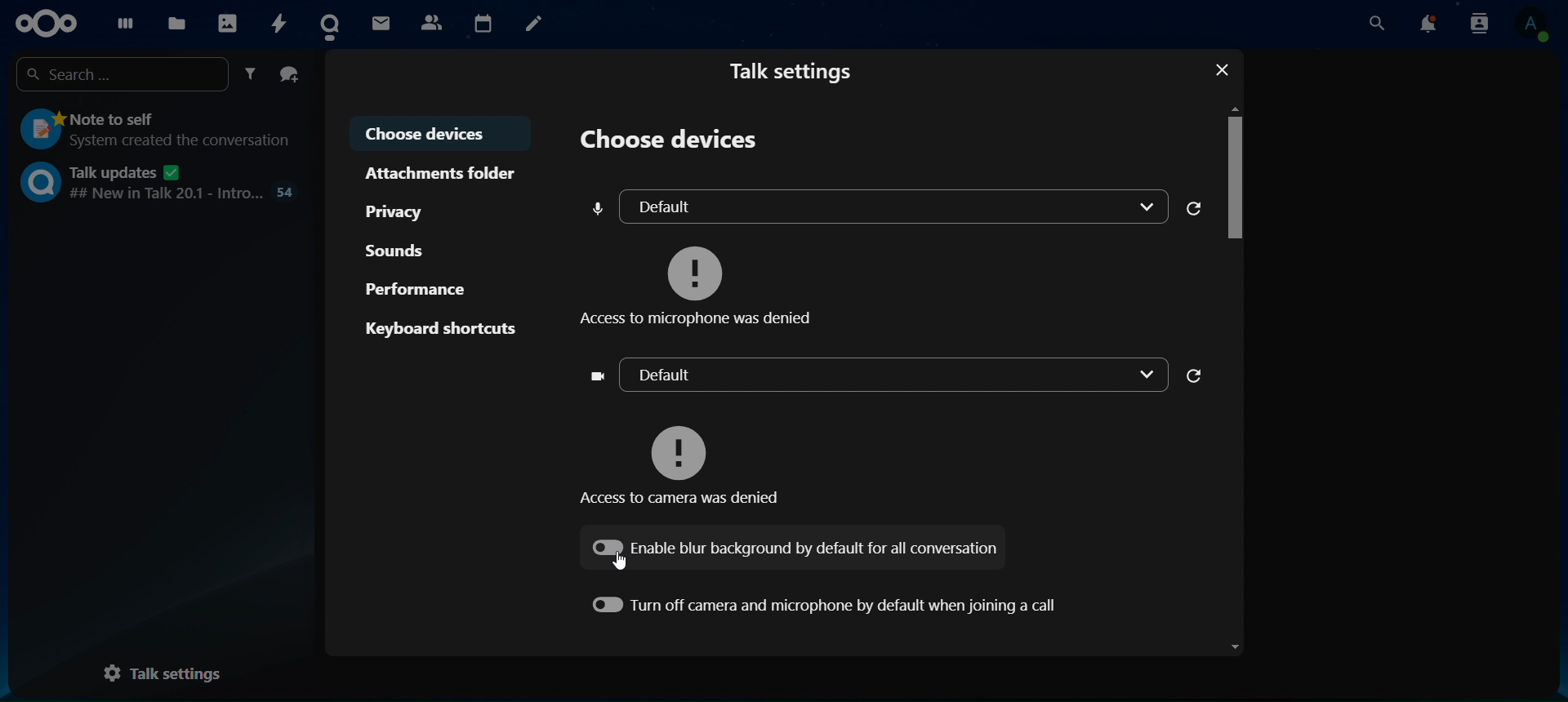 Image resolution: width=1568 pixels, height=702 pixels. Describe the element at coordinates (1481, 25) in the screenshot. I see `contacts` at that location.